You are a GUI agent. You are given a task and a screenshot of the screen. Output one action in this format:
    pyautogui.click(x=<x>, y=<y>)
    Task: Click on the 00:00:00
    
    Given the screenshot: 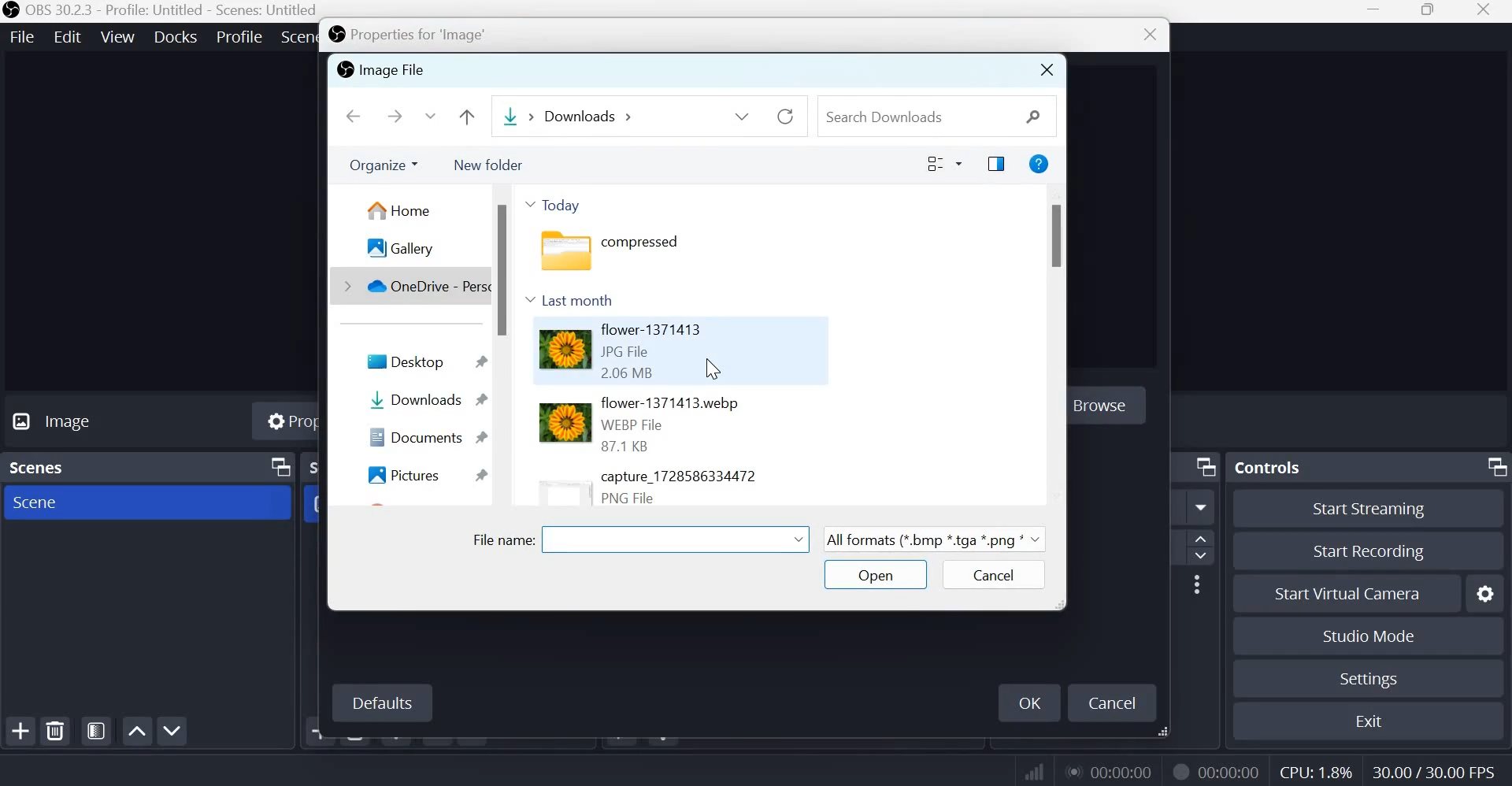 What is the action you would take?
    pyautogui.click(x=1231, y=772)
    